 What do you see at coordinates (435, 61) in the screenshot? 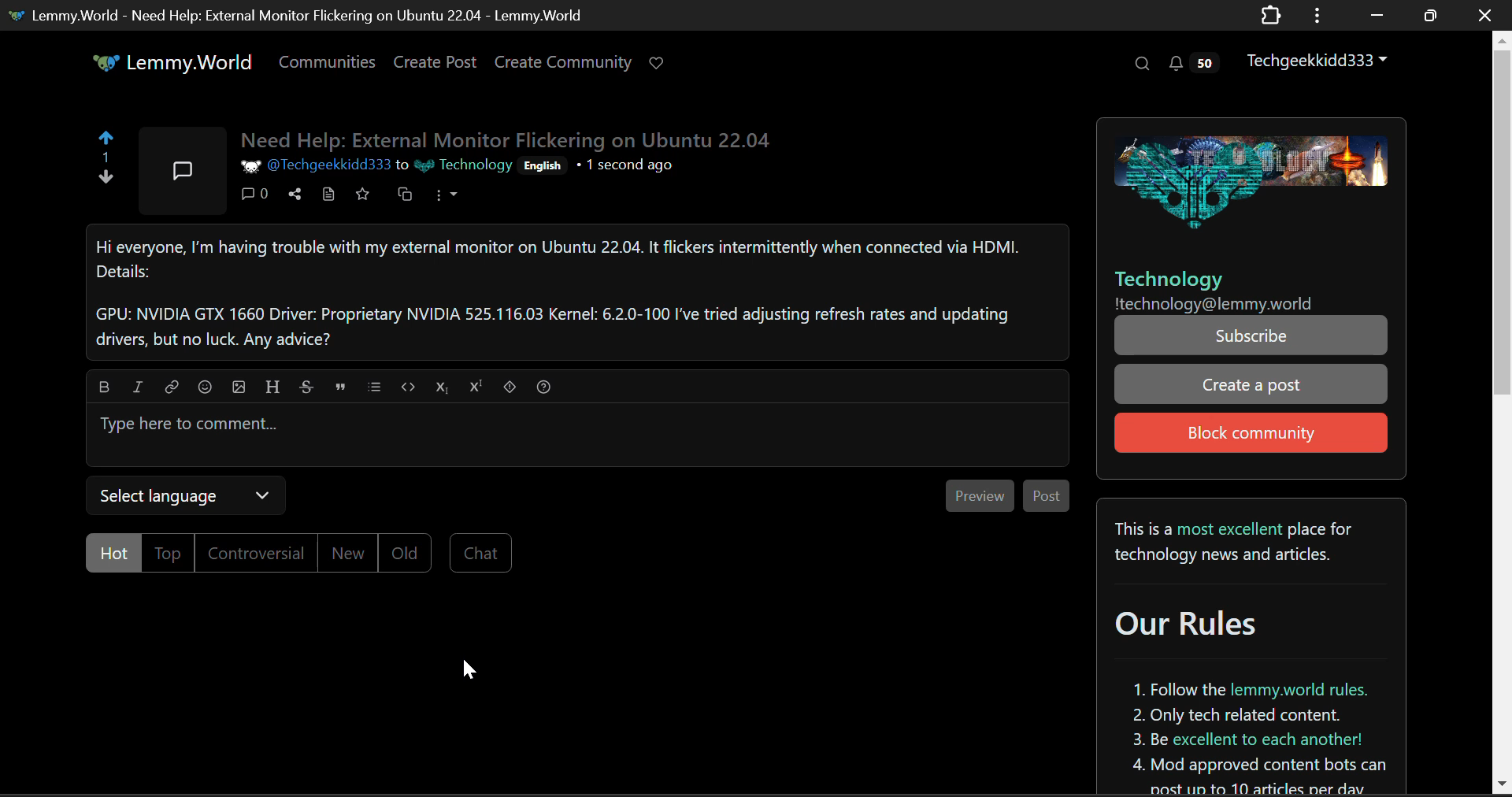
I see `Create Post Page Link` at bounding box center [435, 61].